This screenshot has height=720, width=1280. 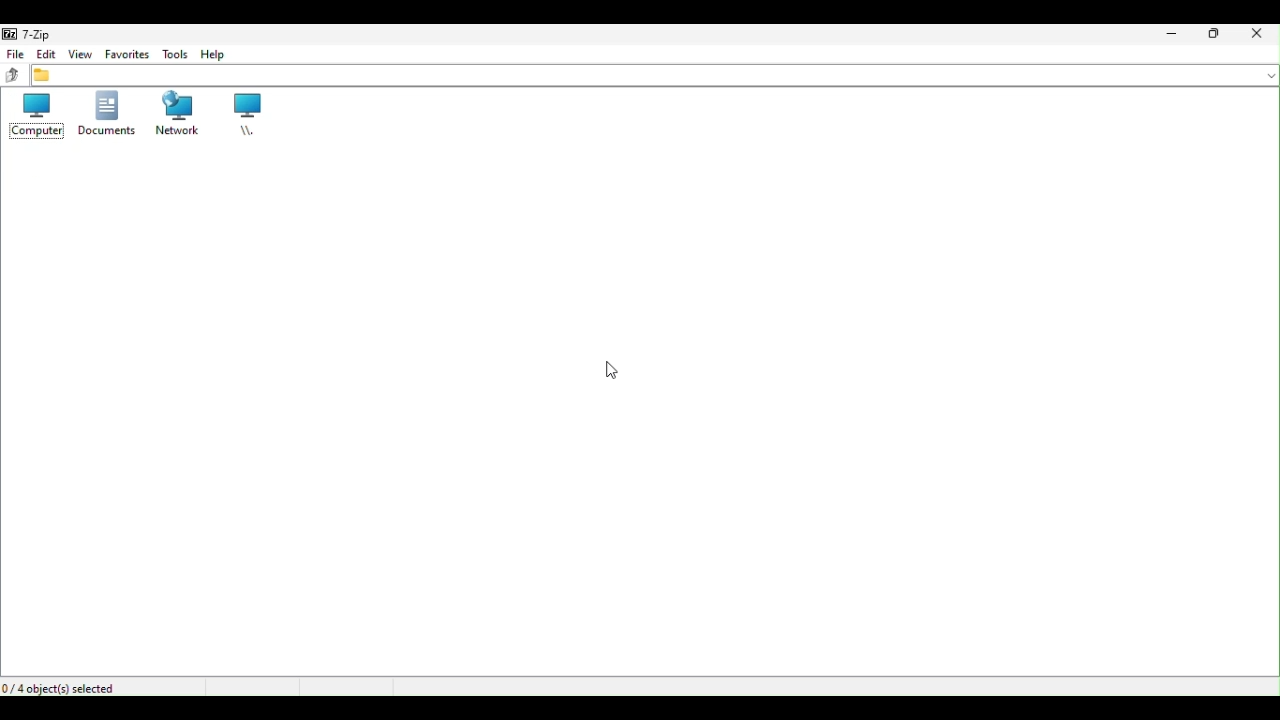 What do you see at coordinates (47, 55) in the screenshot?
I see `Edit` at bounding box center [47, 55].